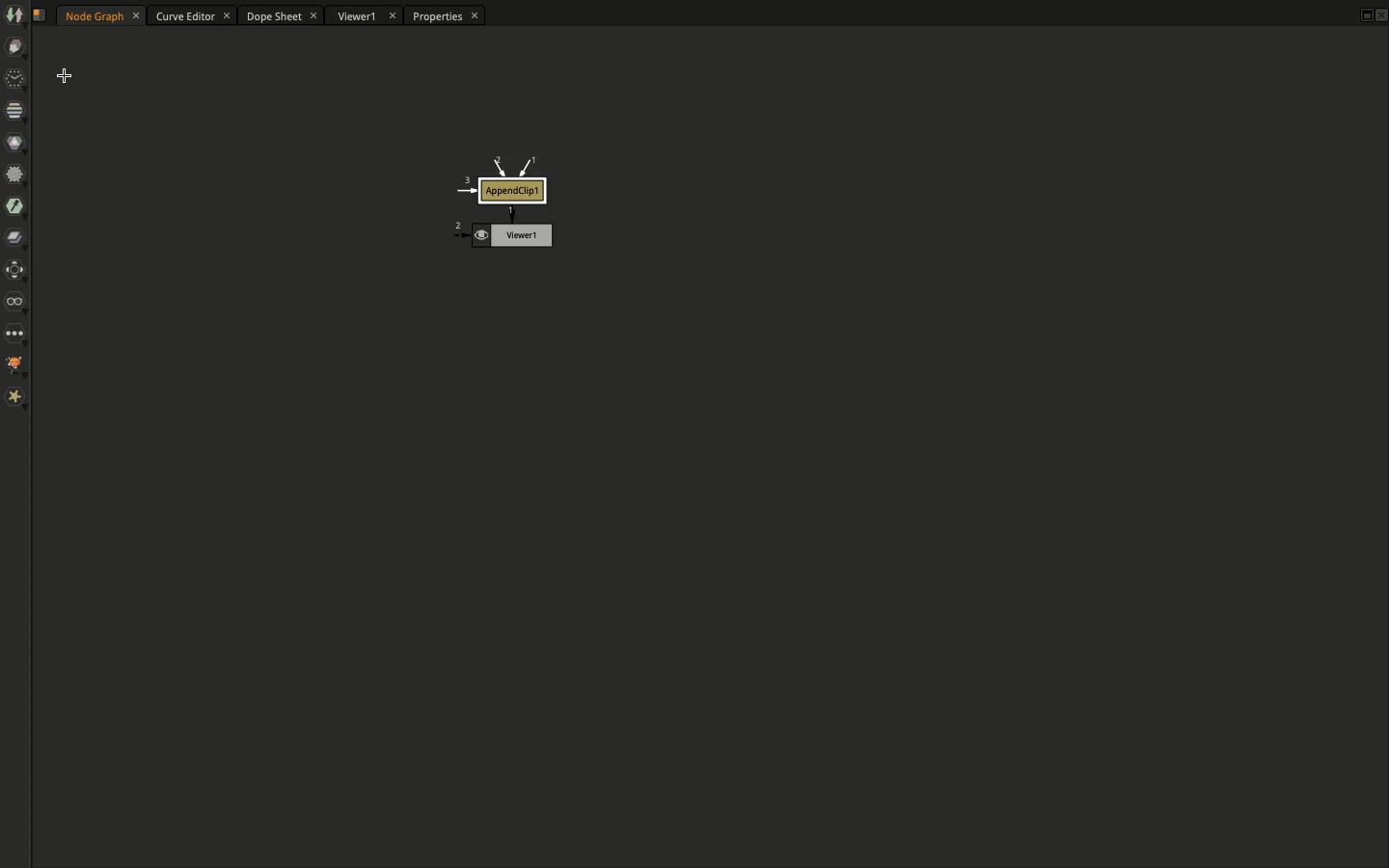  Describe the element at coordinates (1362, 14) in the screenshot. I see `Maximize` at that location.